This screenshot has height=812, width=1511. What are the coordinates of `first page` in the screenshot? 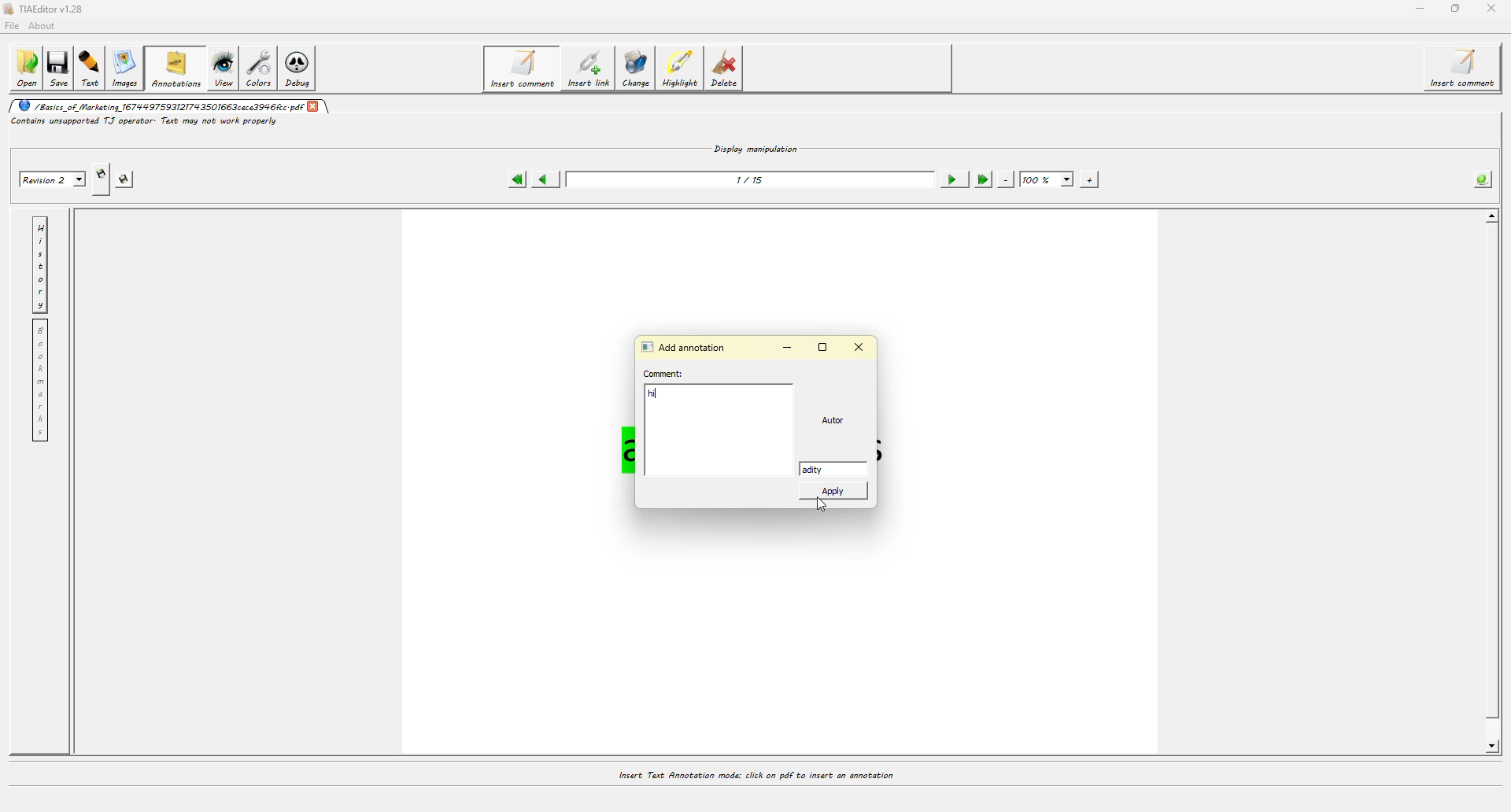 It's located at (516, 179).